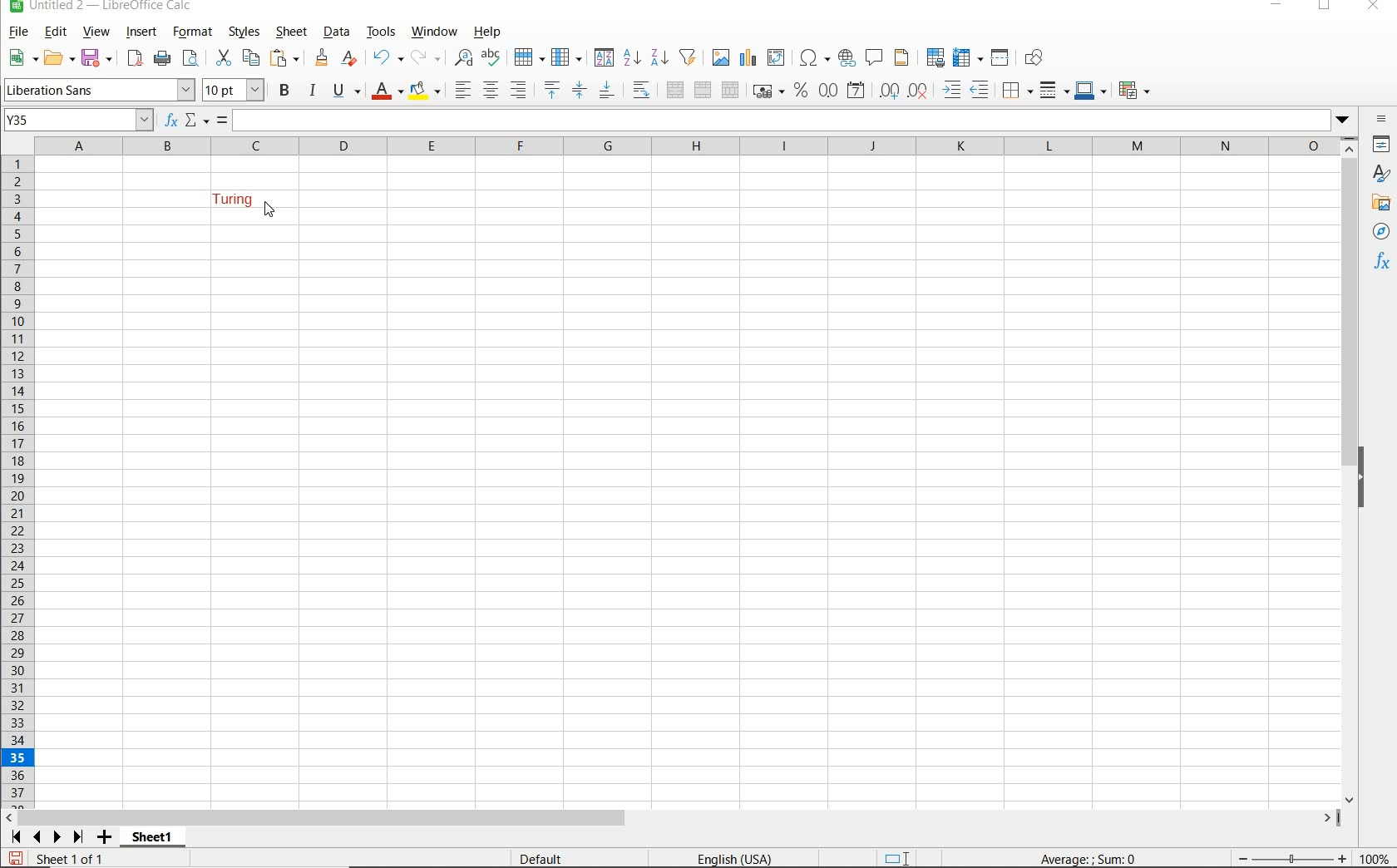 This screenshot has height=868, width=1397. Describe the element at coordinates (1350, 121) in the screenshot. I see `dropdown` at that location.